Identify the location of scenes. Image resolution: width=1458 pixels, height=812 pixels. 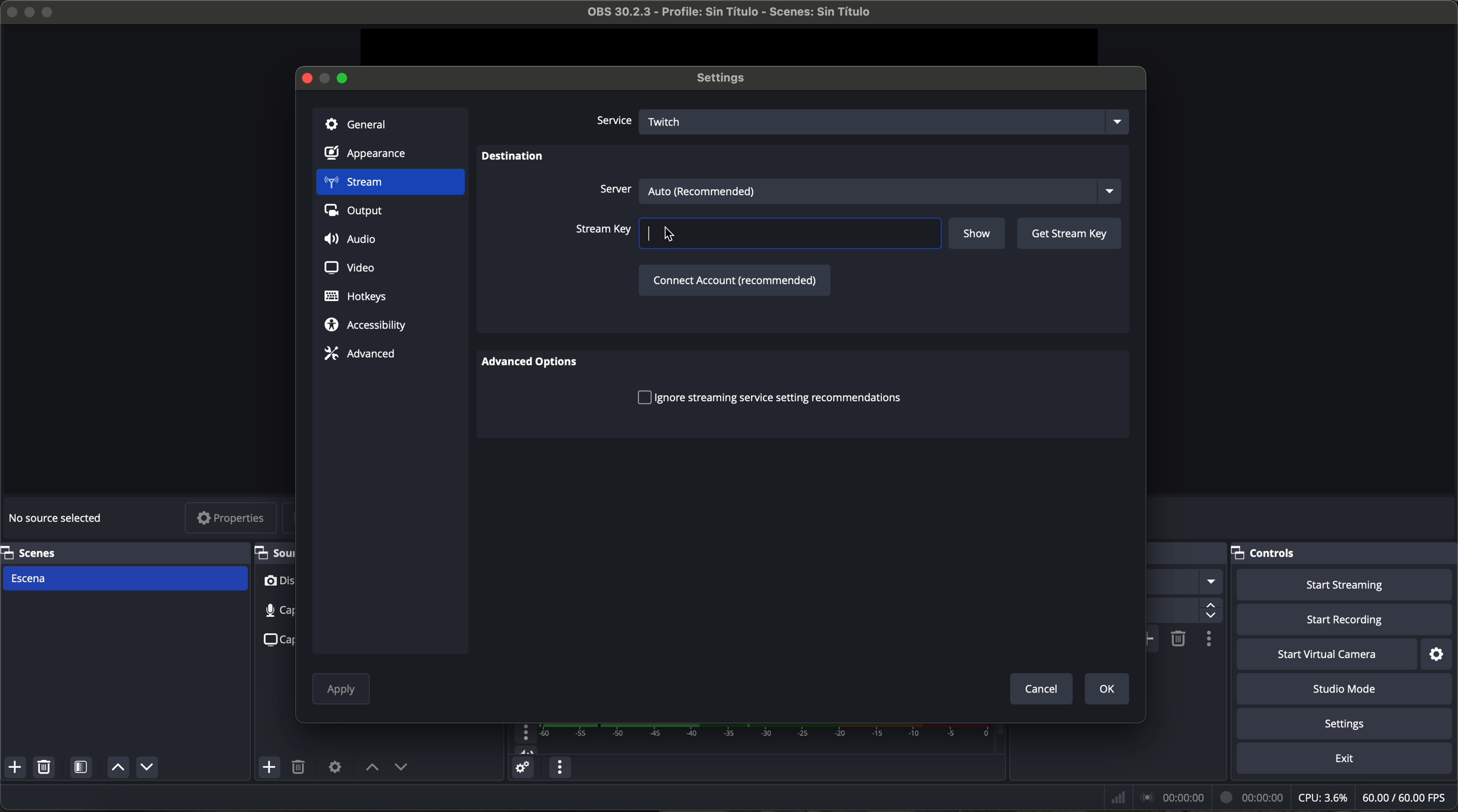
(121, 552).